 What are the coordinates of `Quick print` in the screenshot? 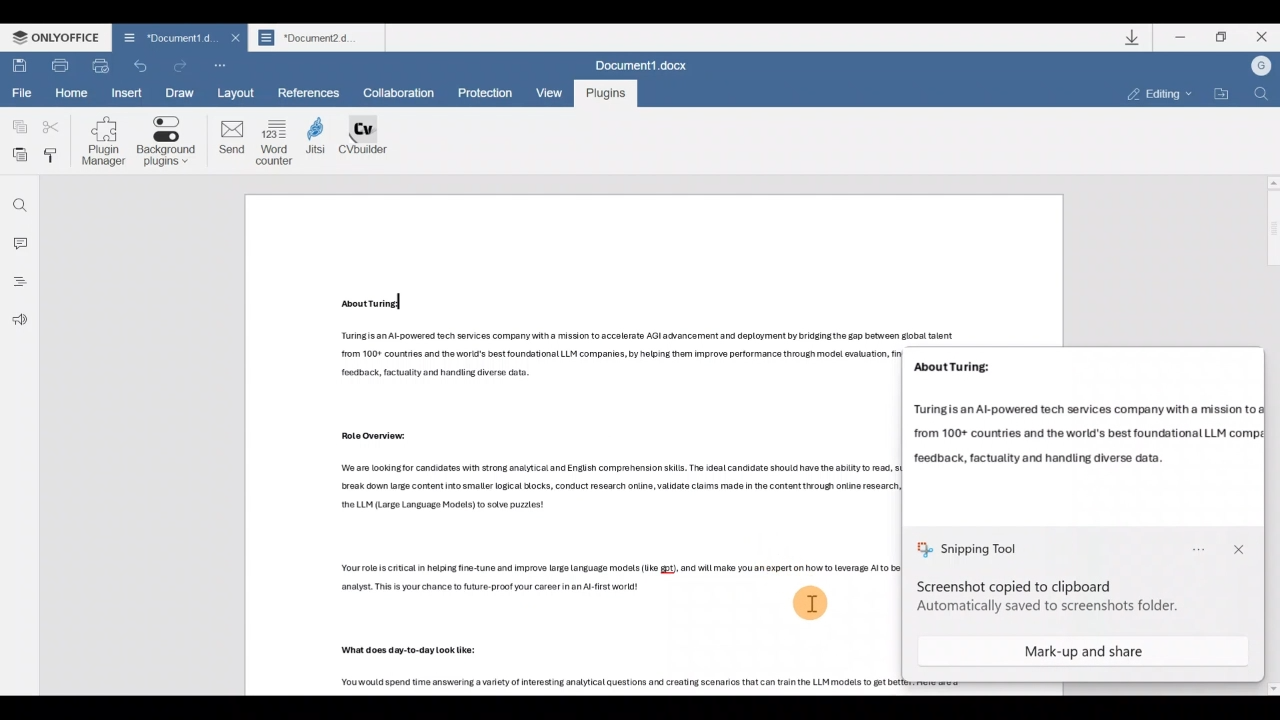 It's located at (104, 66).